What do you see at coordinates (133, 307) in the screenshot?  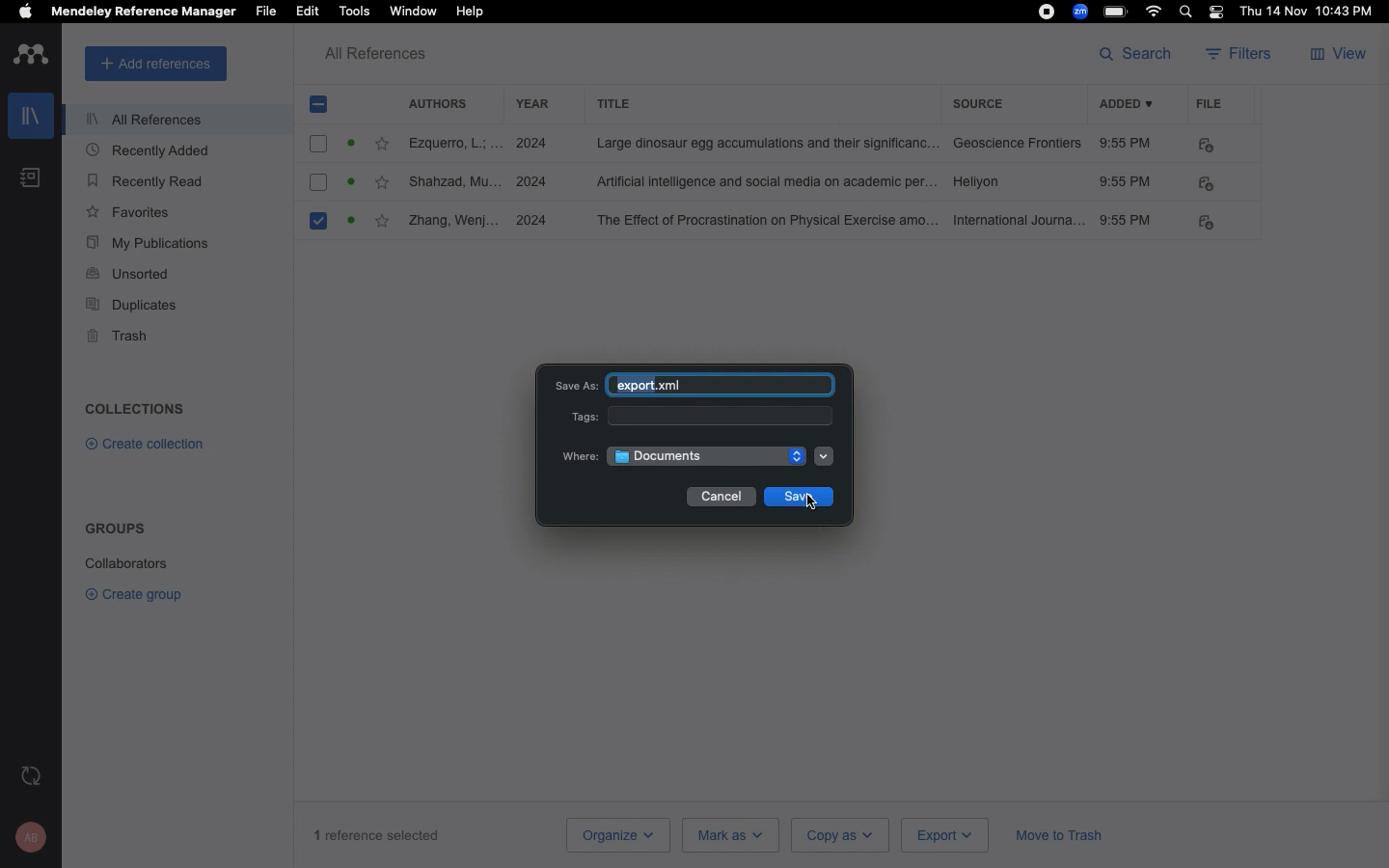 I see `Duplicates` at bounding box center [133, 307].